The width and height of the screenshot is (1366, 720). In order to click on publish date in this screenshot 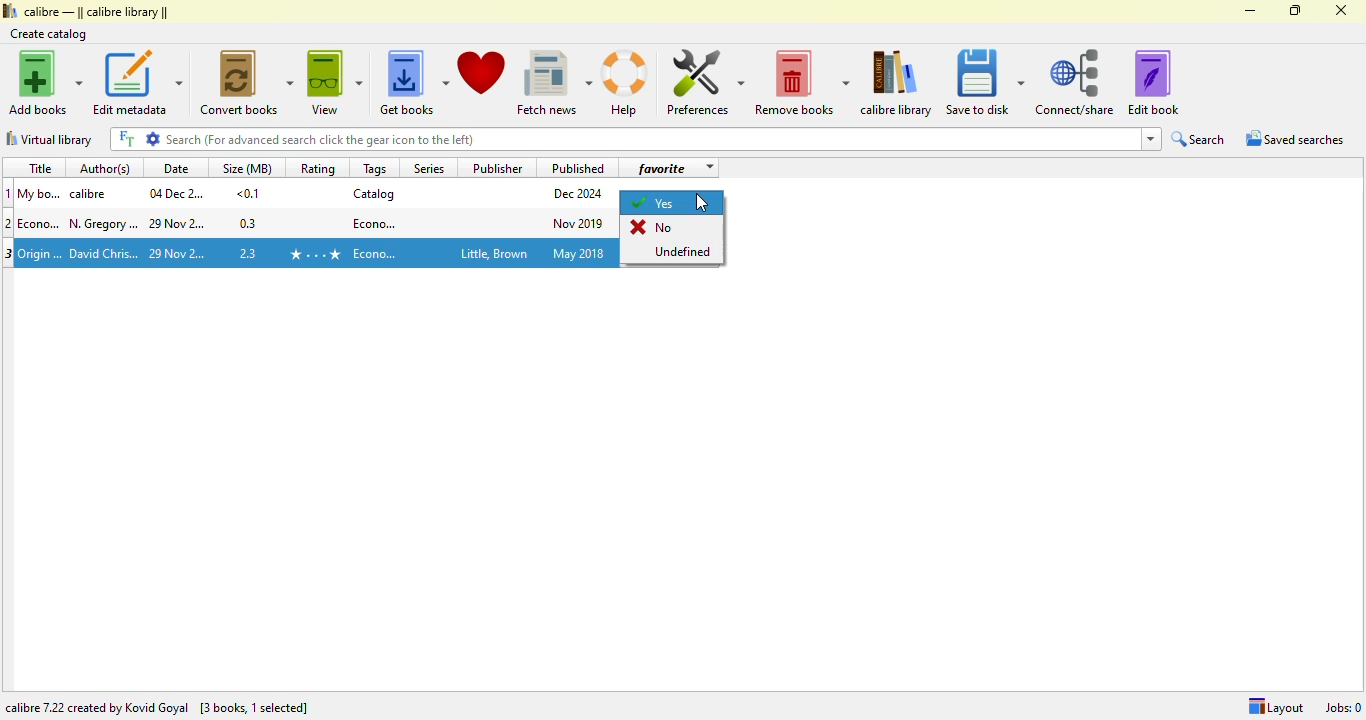, I will do `click(580, 253)`.